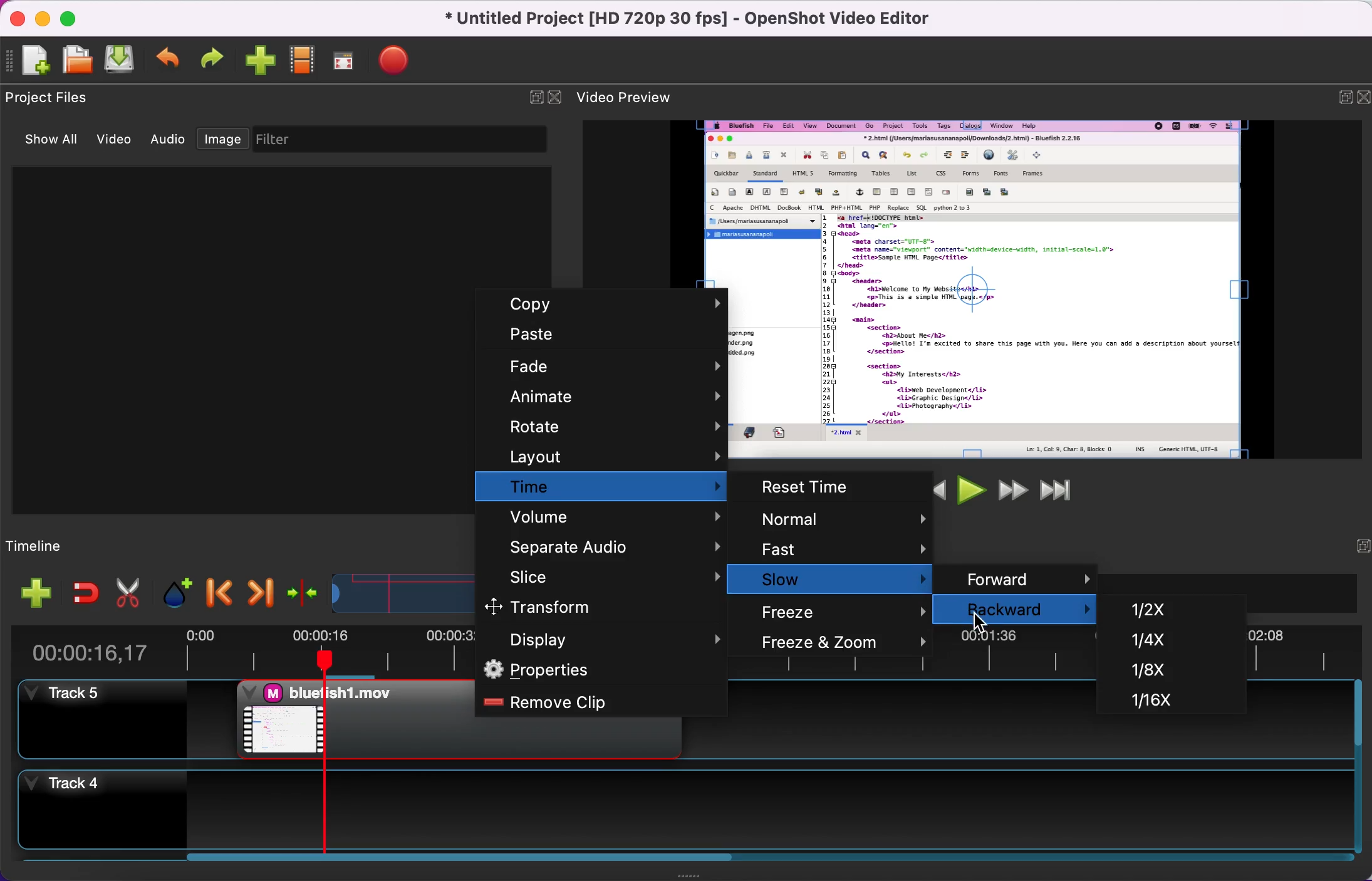 This screenshot has width=1372, height=881. What do you see at coordinates (304, 60) in the screenshot?
I see `choose profile` at bounding box center [304, 60].